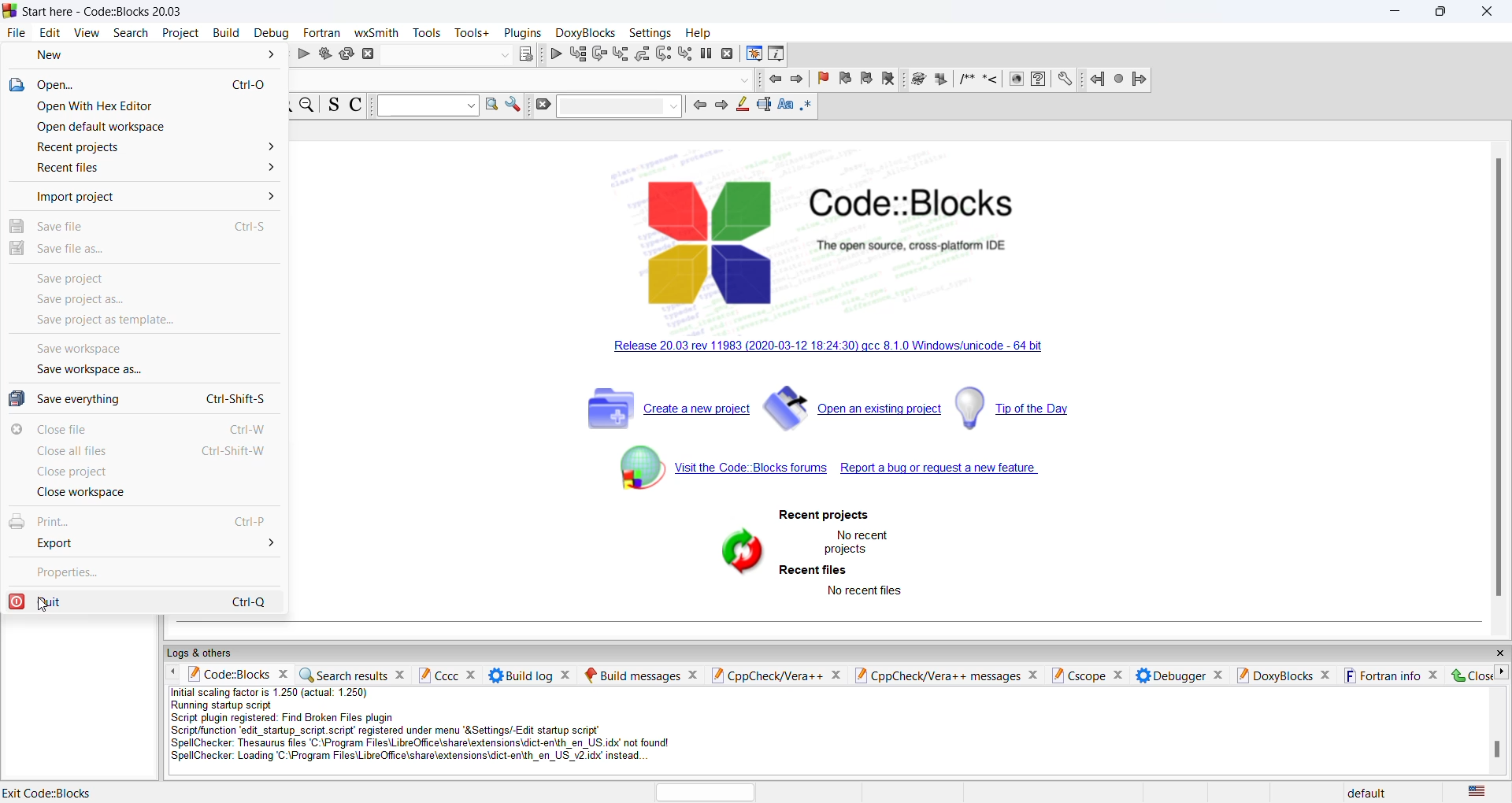 The height and width of the screenshot is (803, 1512). What do you see at coordinates (519, 675) in the screenshot?
I see `build log panes` at bounding box center [519, 675].